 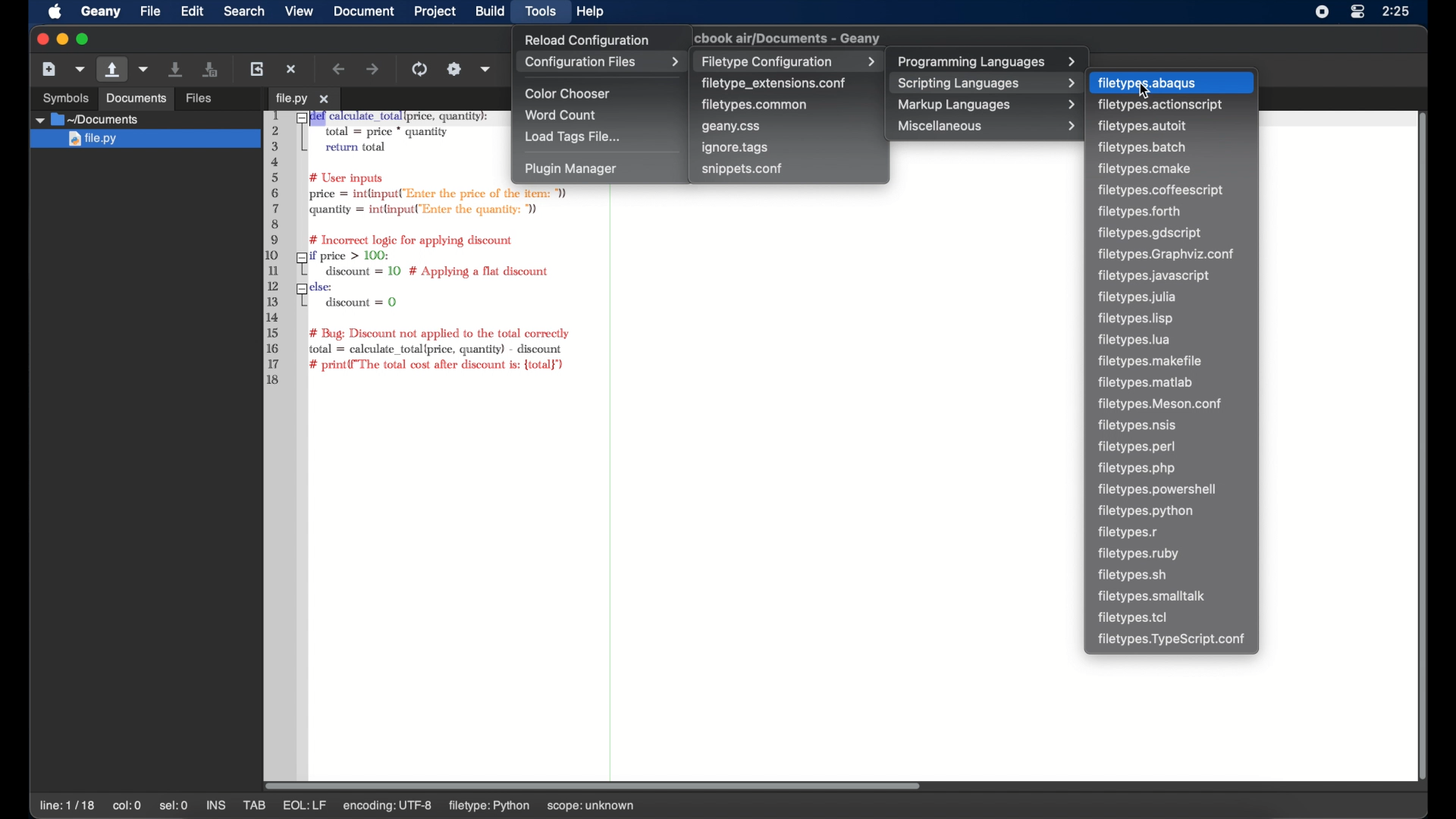 I want to click on filetypes.common, so click(x=756, y=104).